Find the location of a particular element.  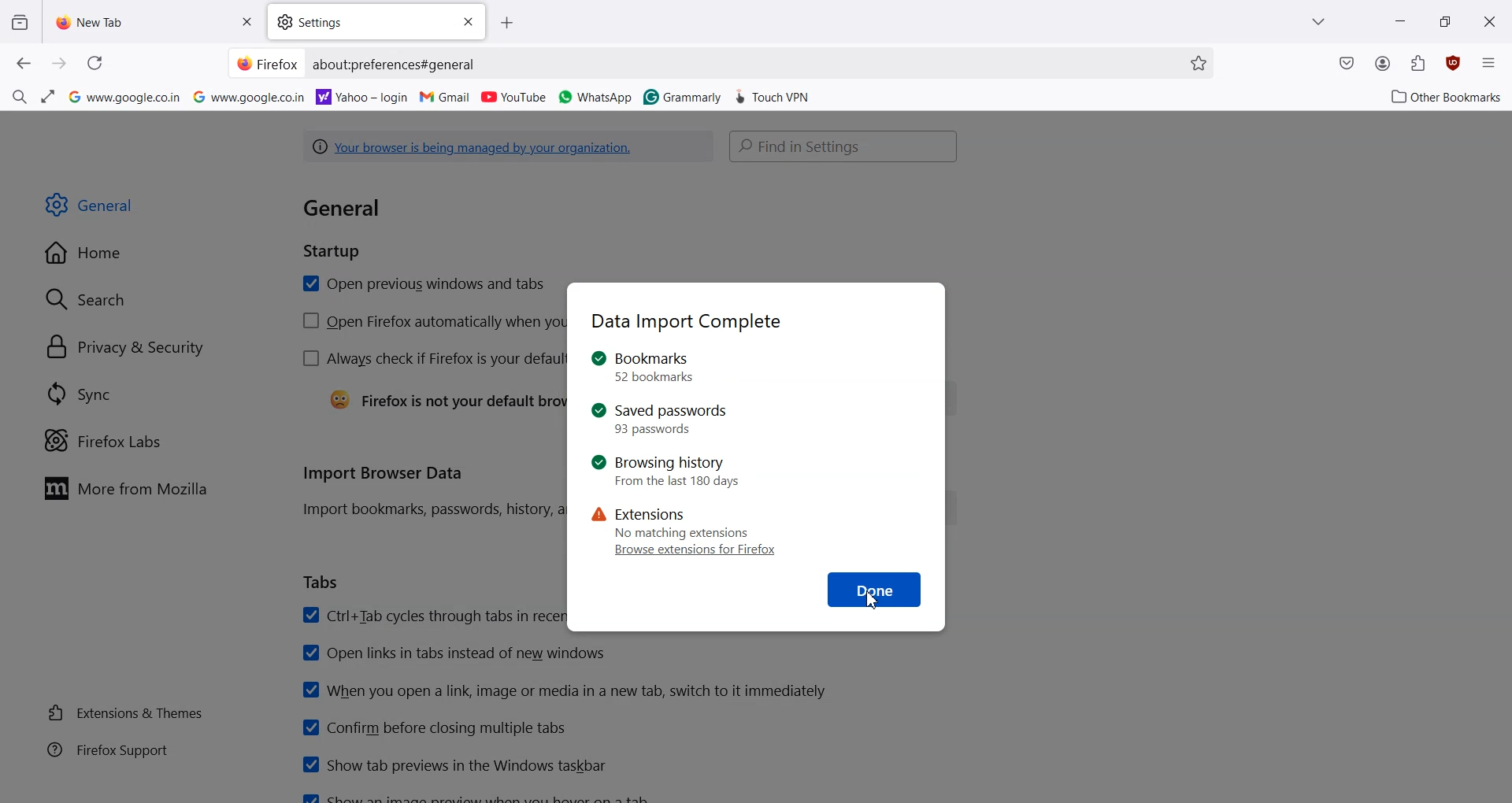

Browsing history is located at coordinates (667, 472).